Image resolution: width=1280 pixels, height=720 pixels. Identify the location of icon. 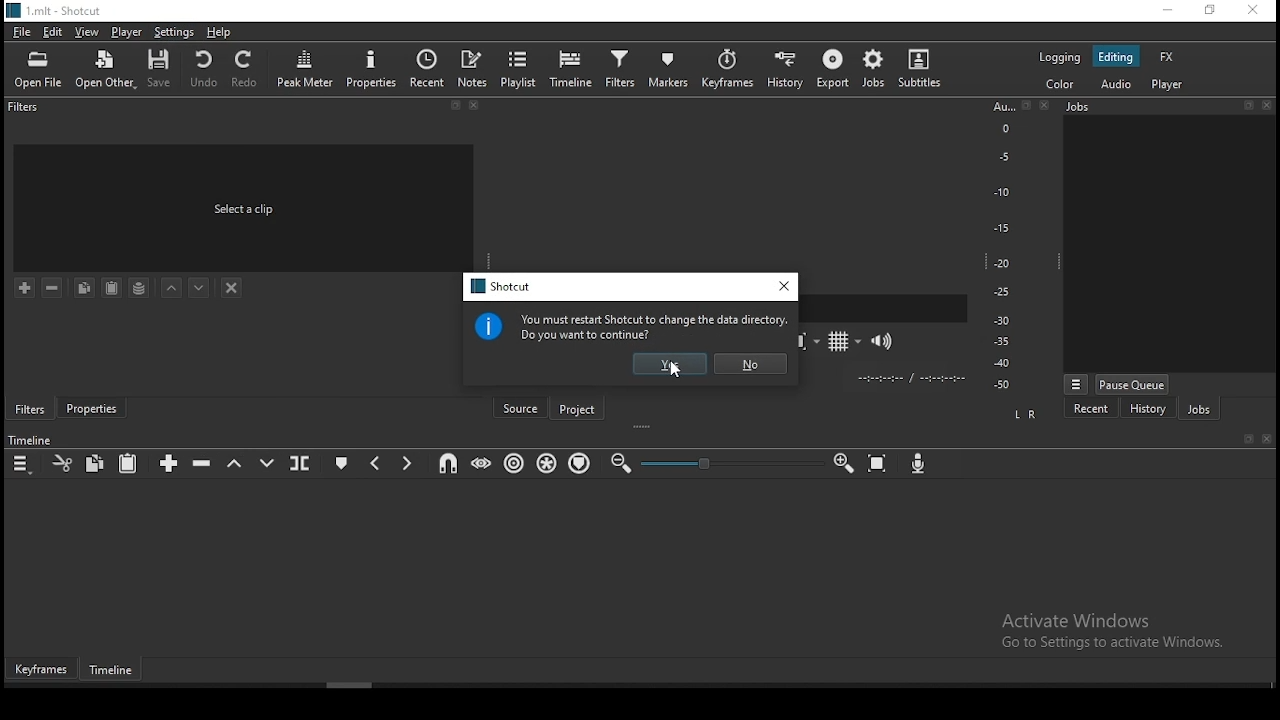
(490, 326).